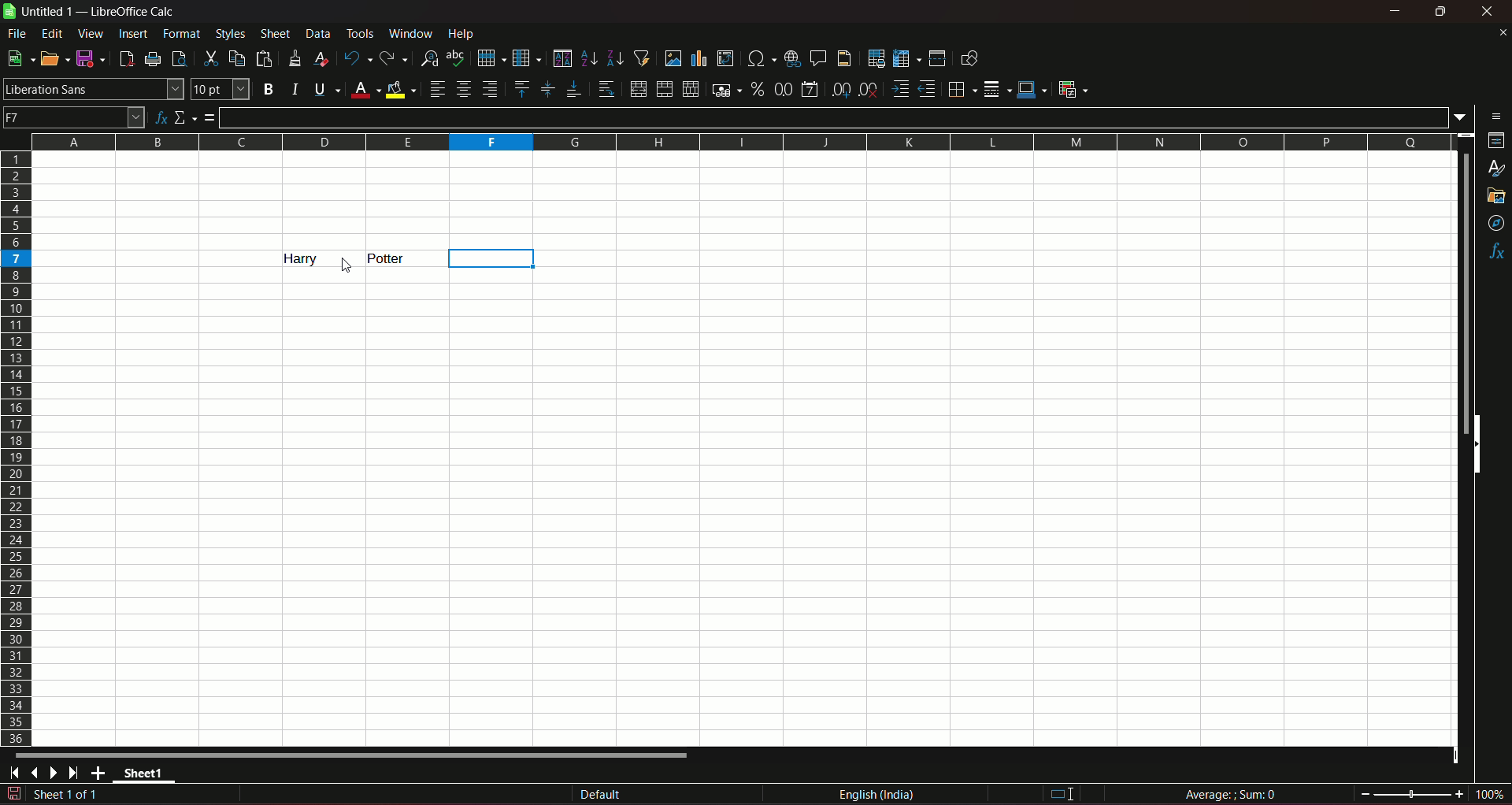 This screenshot has height=805, width=1512. I want to click on title, so click(134, 12).